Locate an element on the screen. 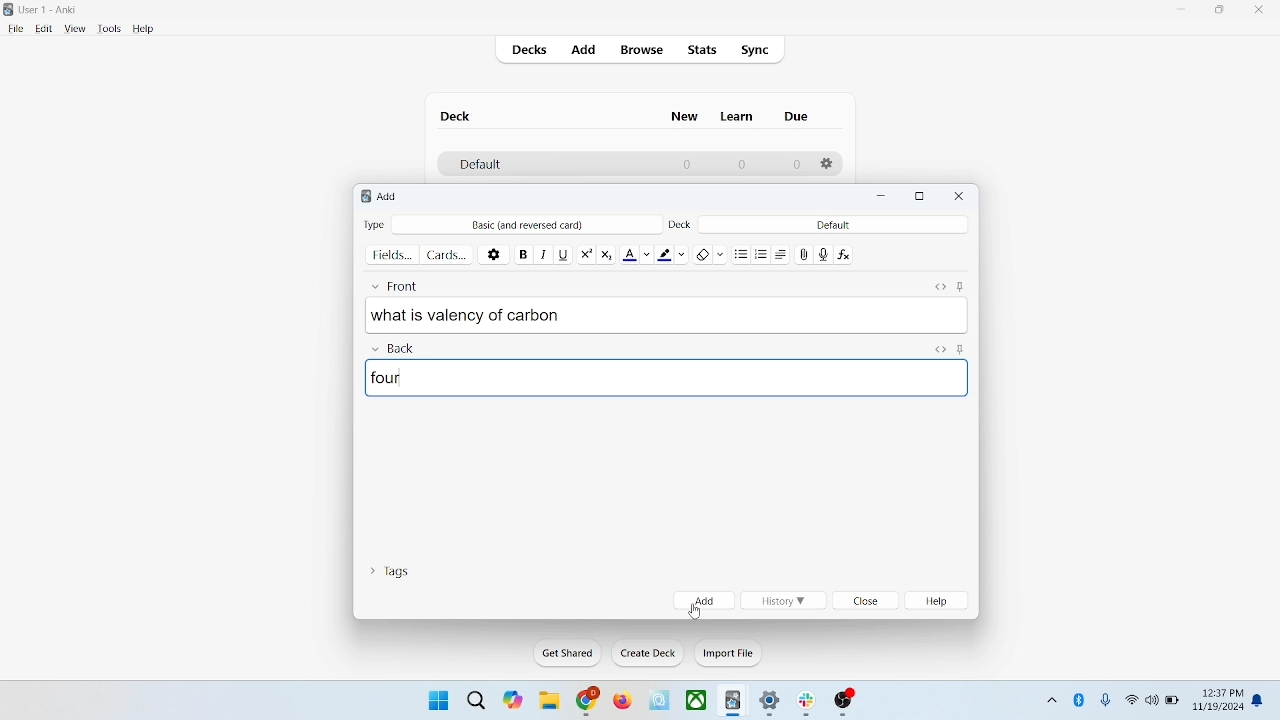 This screenshot has width=1280, height=720. sticky is located at coordinates (960, 348).